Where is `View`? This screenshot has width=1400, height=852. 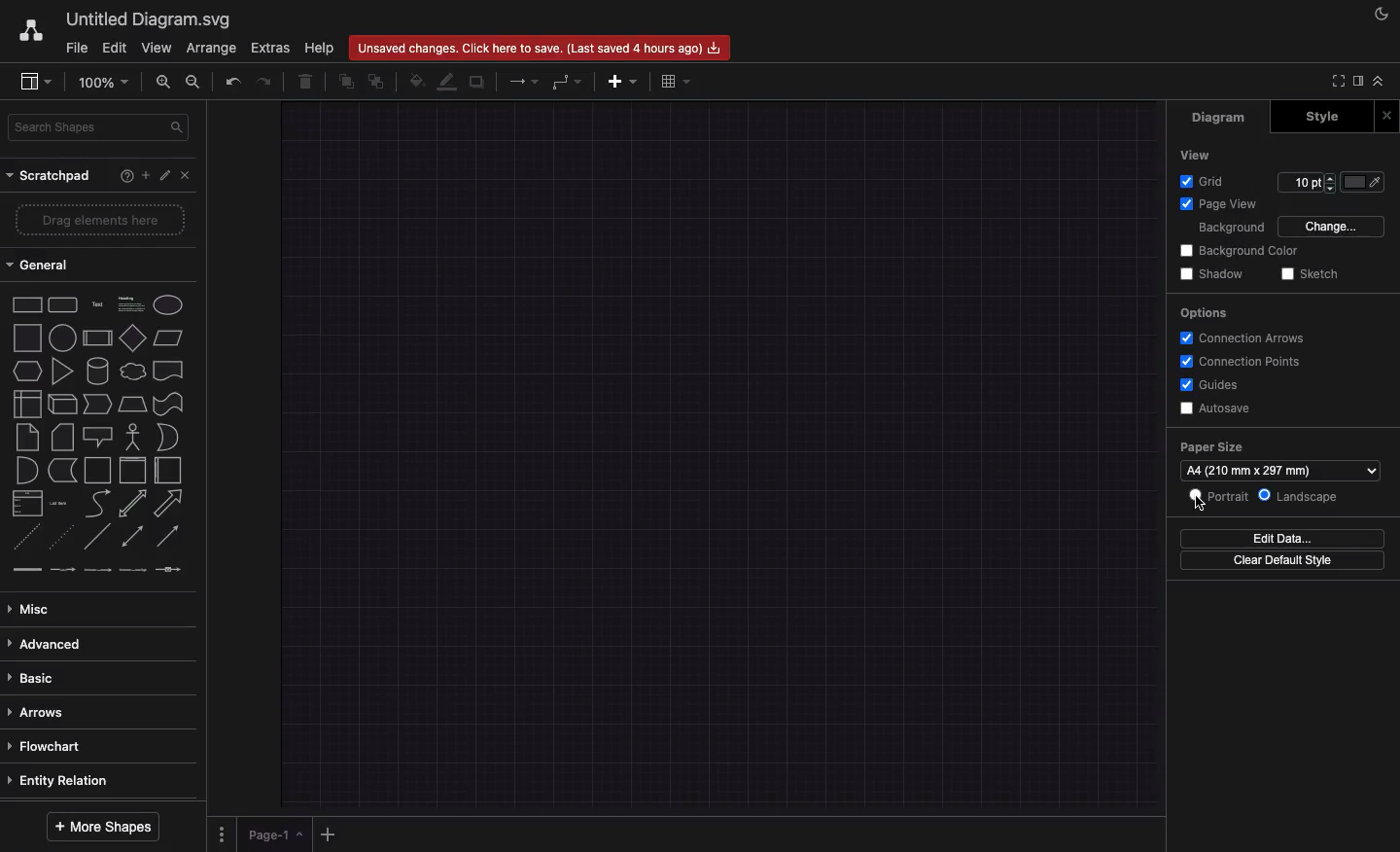 View is located at coordinates (1193, 156).